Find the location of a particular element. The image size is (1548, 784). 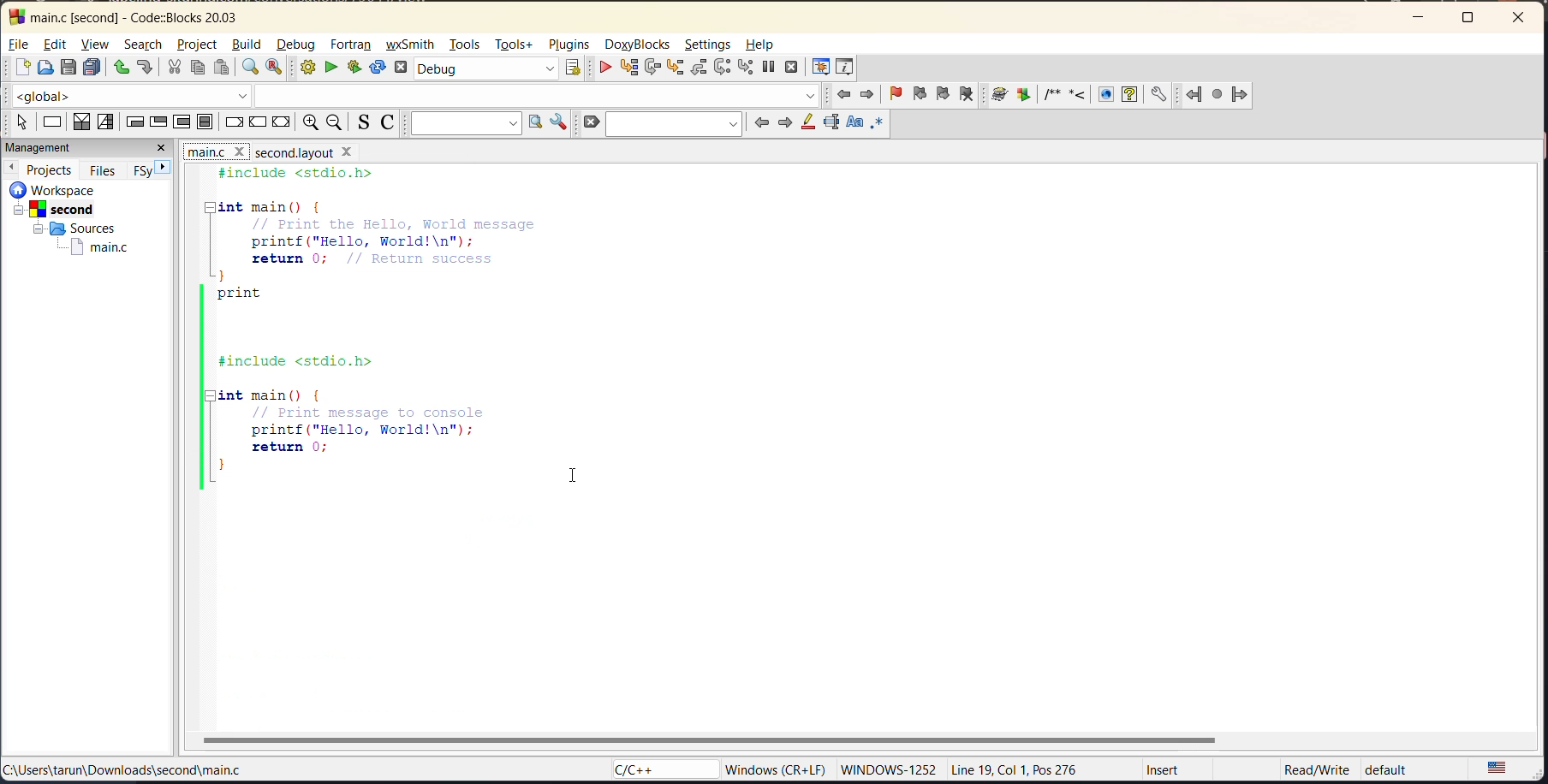

tools is located at coordinates (467, 43).